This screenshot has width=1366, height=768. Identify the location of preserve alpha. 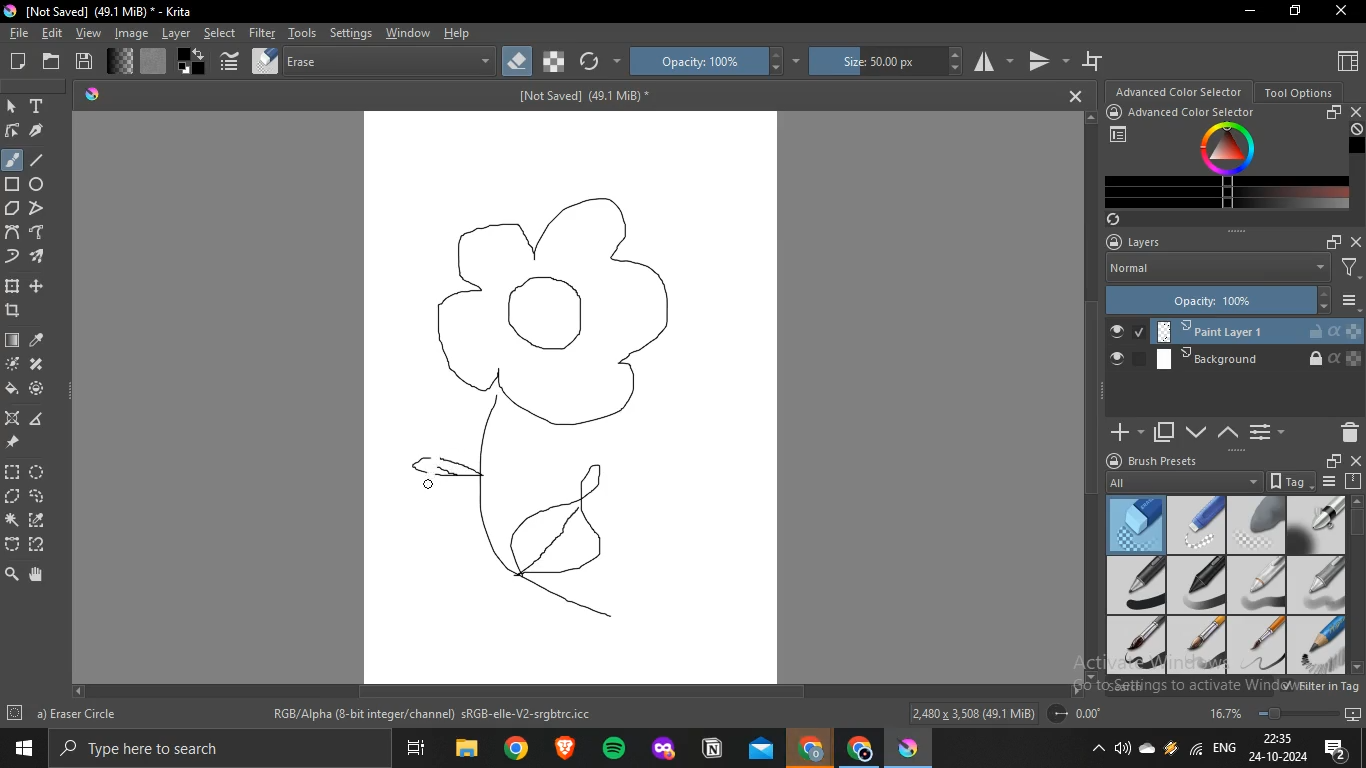
(555, 62).